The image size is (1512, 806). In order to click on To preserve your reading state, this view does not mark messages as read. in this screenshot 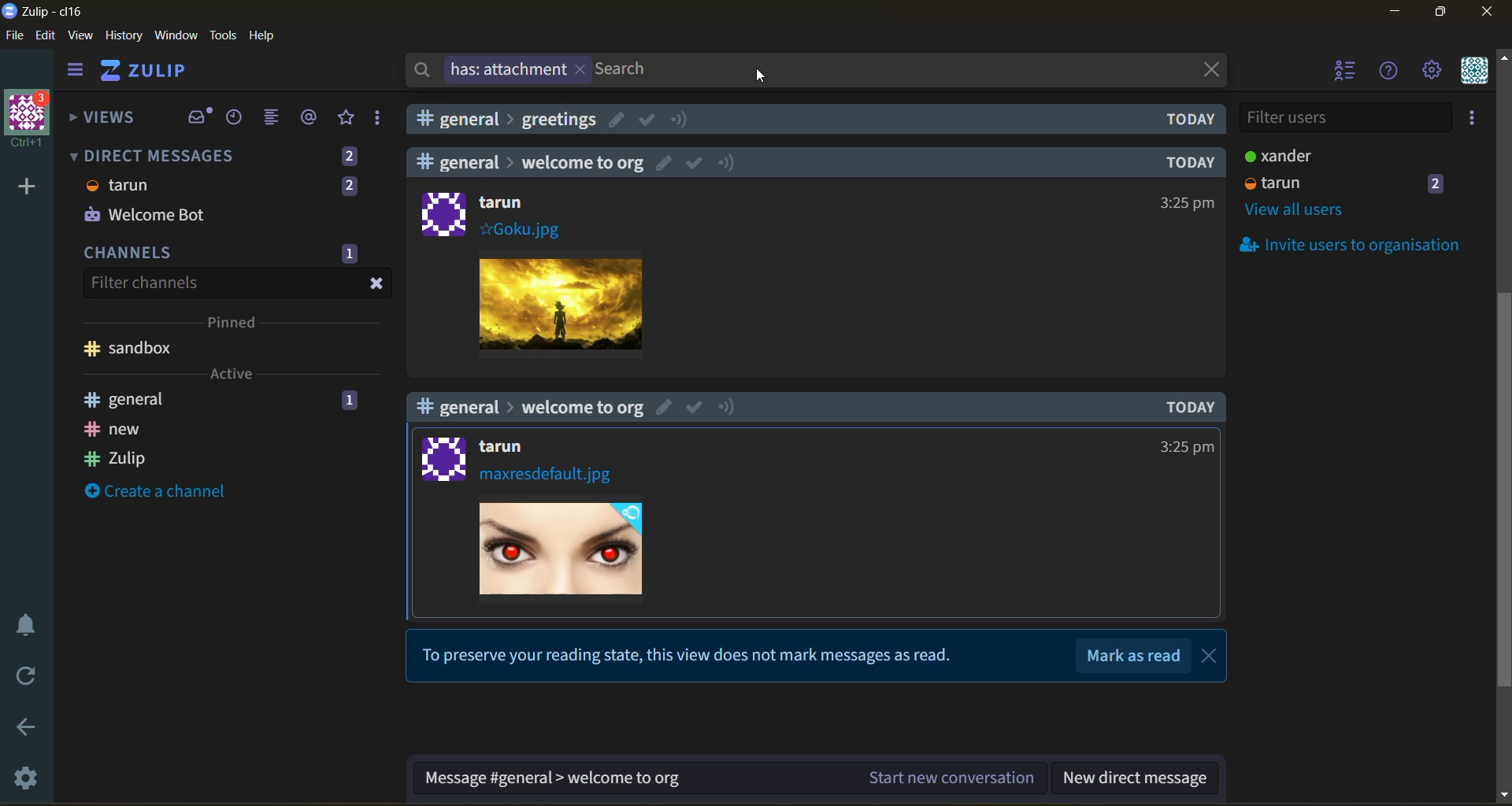, I will do `click(692, 657)`.